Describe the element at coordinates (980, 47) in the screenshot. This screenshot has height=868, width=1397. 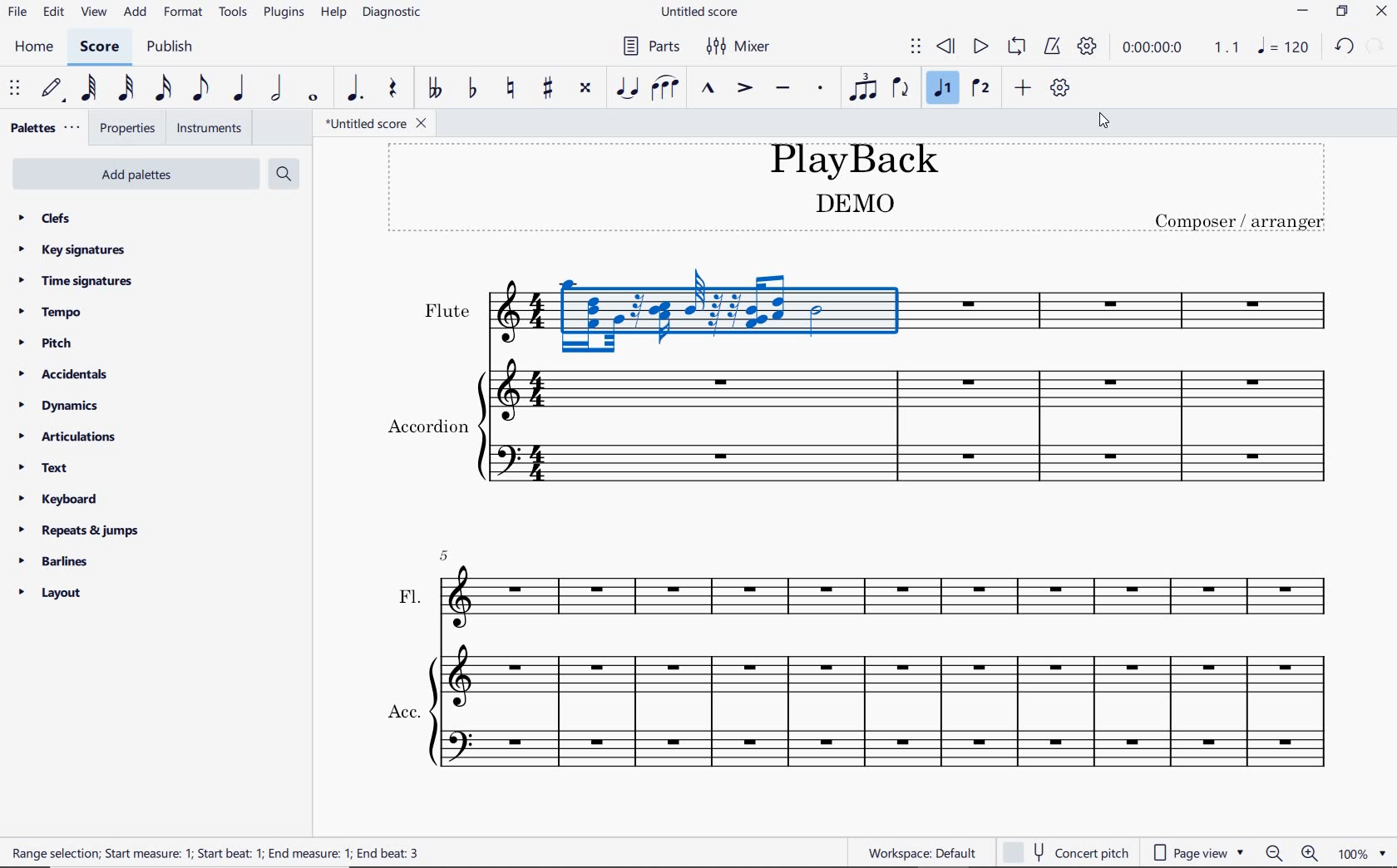
I see `play` at that location.